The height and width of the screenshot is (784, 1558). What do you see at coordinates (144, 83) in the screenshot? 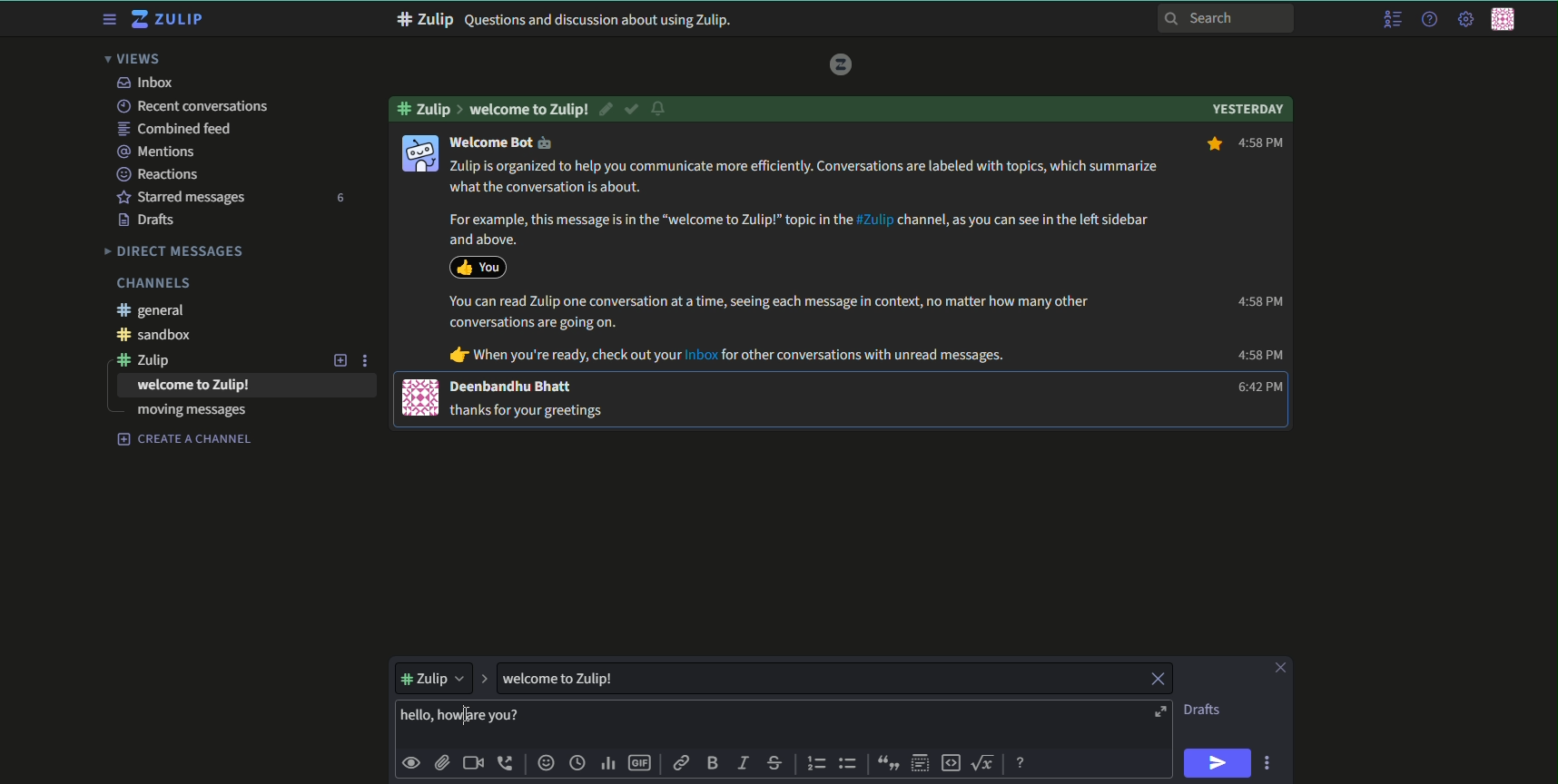
I see `inbox` at bounding box center [144, 83].